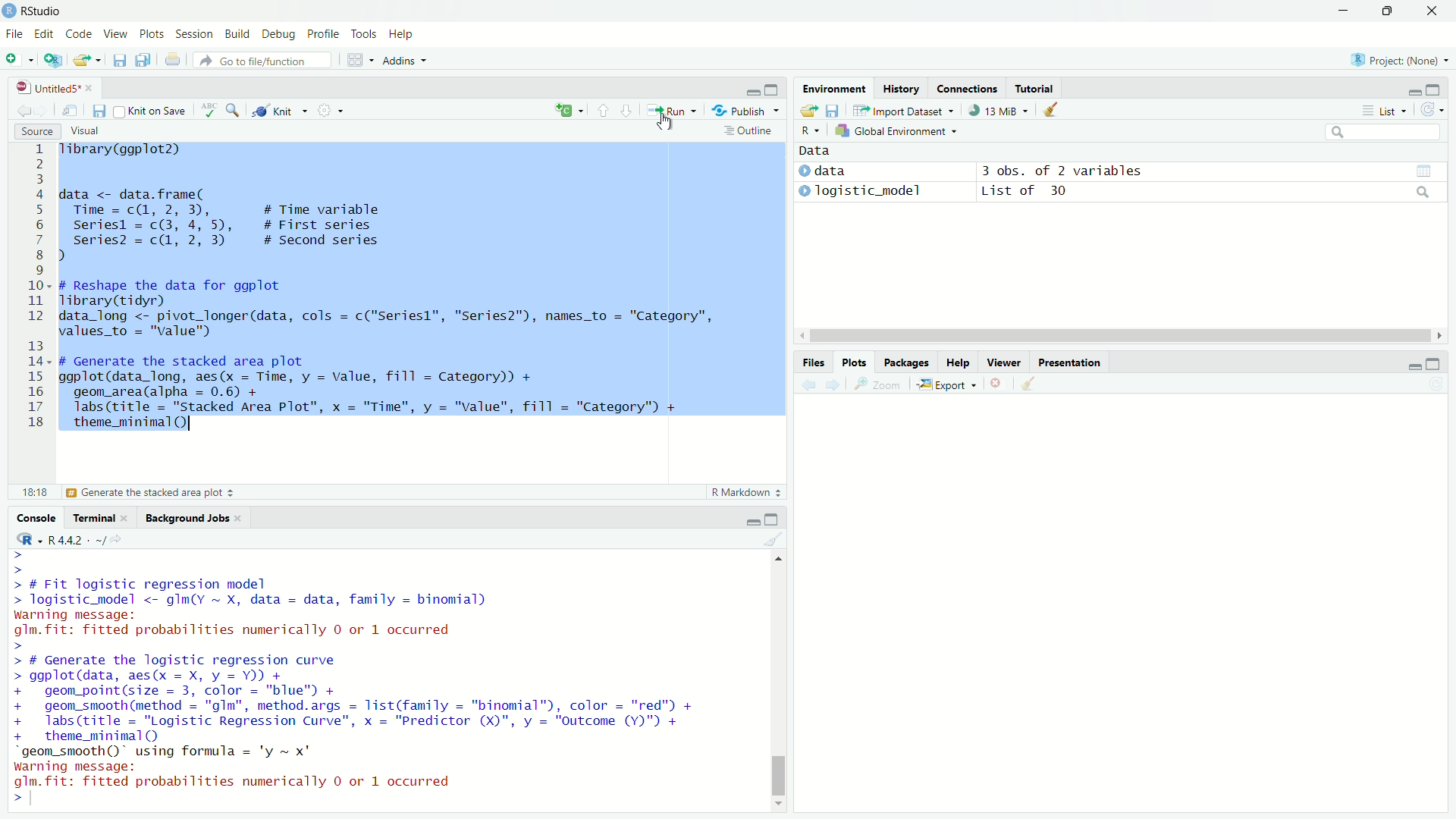 This screenshot has width=1456, height=819. I want to click on Connections, so click(968, 88).